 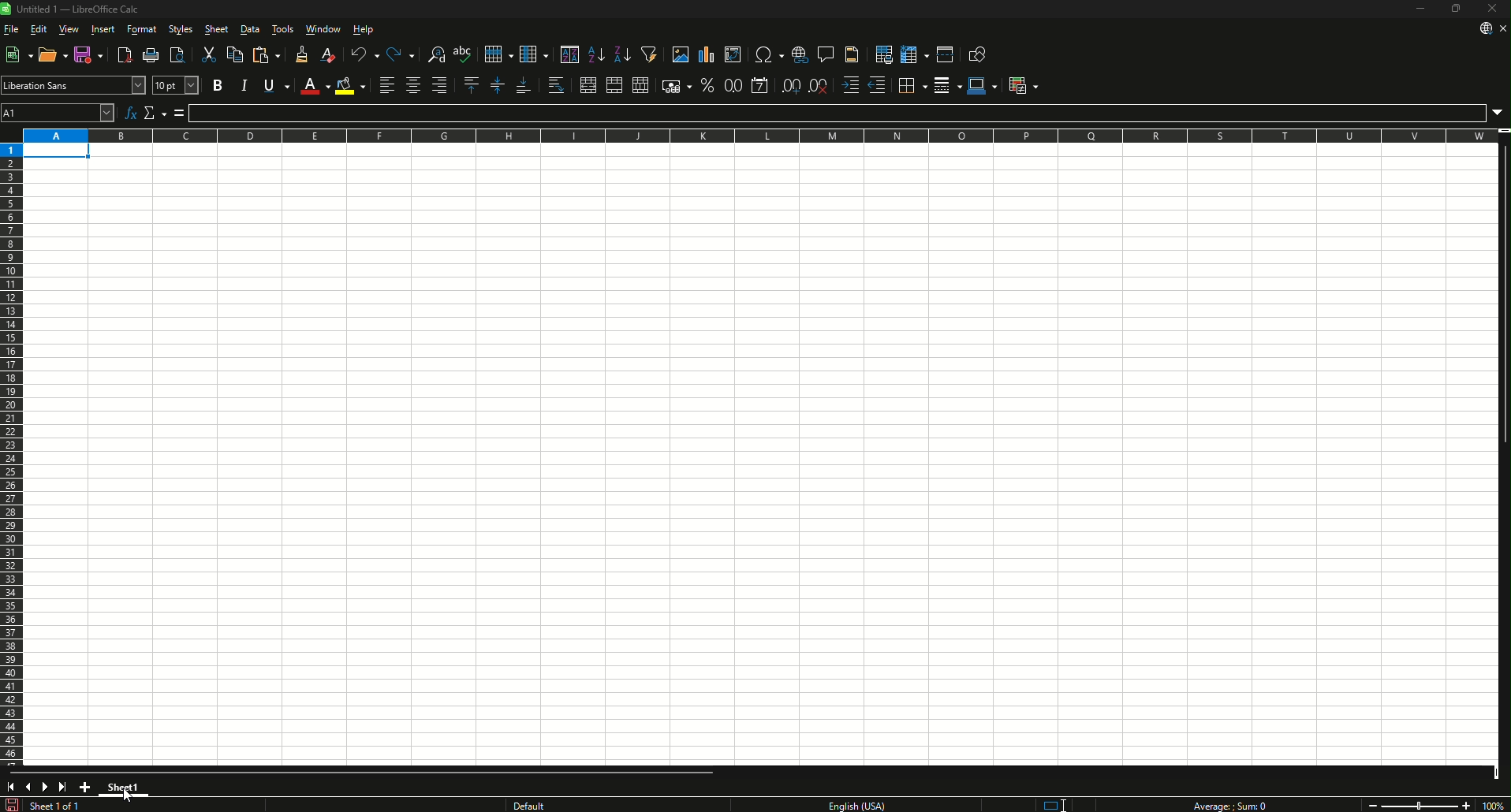 What do you see at coordinates (524, 85) in the screenshot?
I see `Align Bottom` at bounding box center [524, 85].